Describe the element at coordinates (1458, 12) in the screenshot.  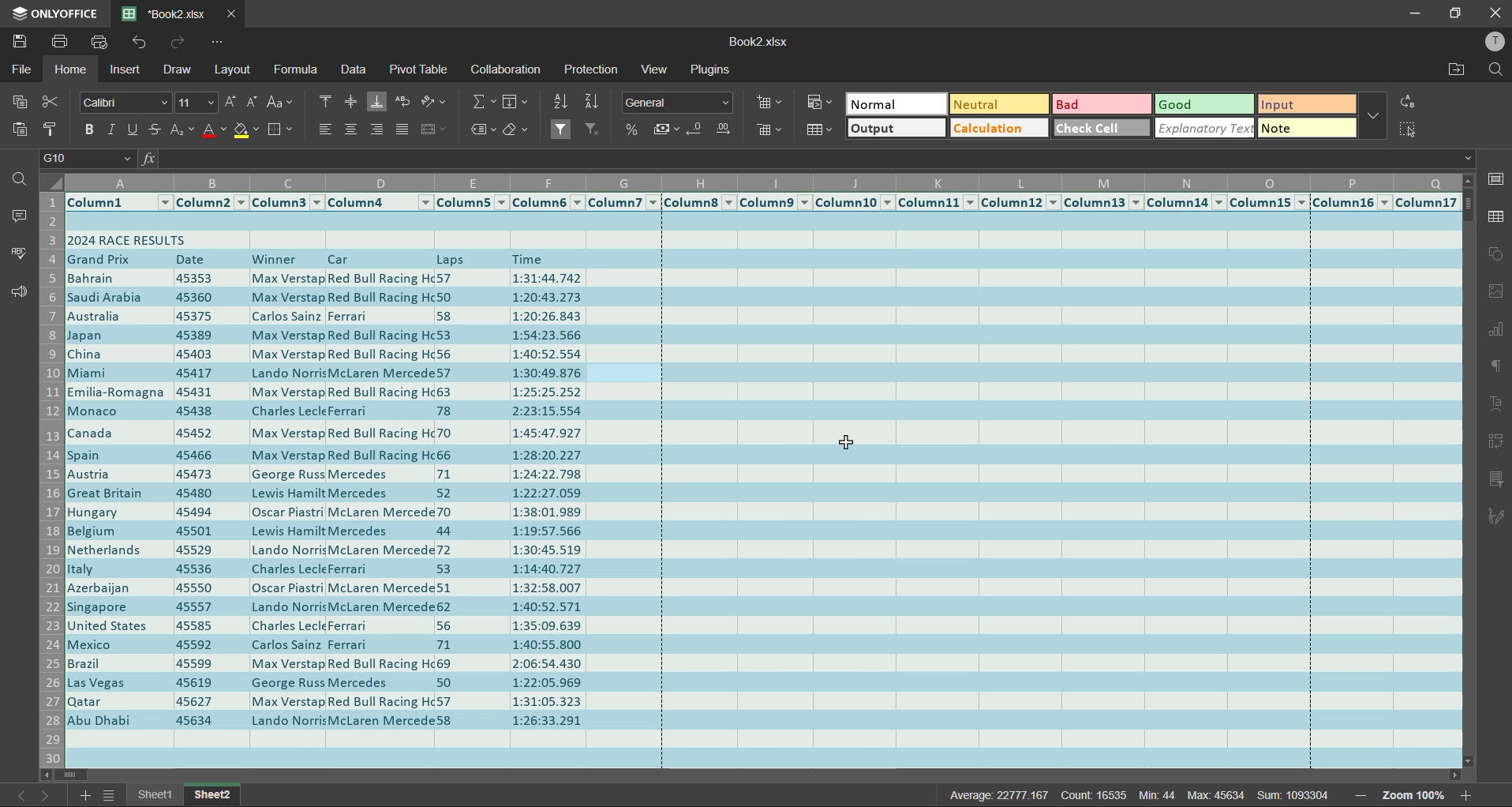
I see `maximize` at that location.